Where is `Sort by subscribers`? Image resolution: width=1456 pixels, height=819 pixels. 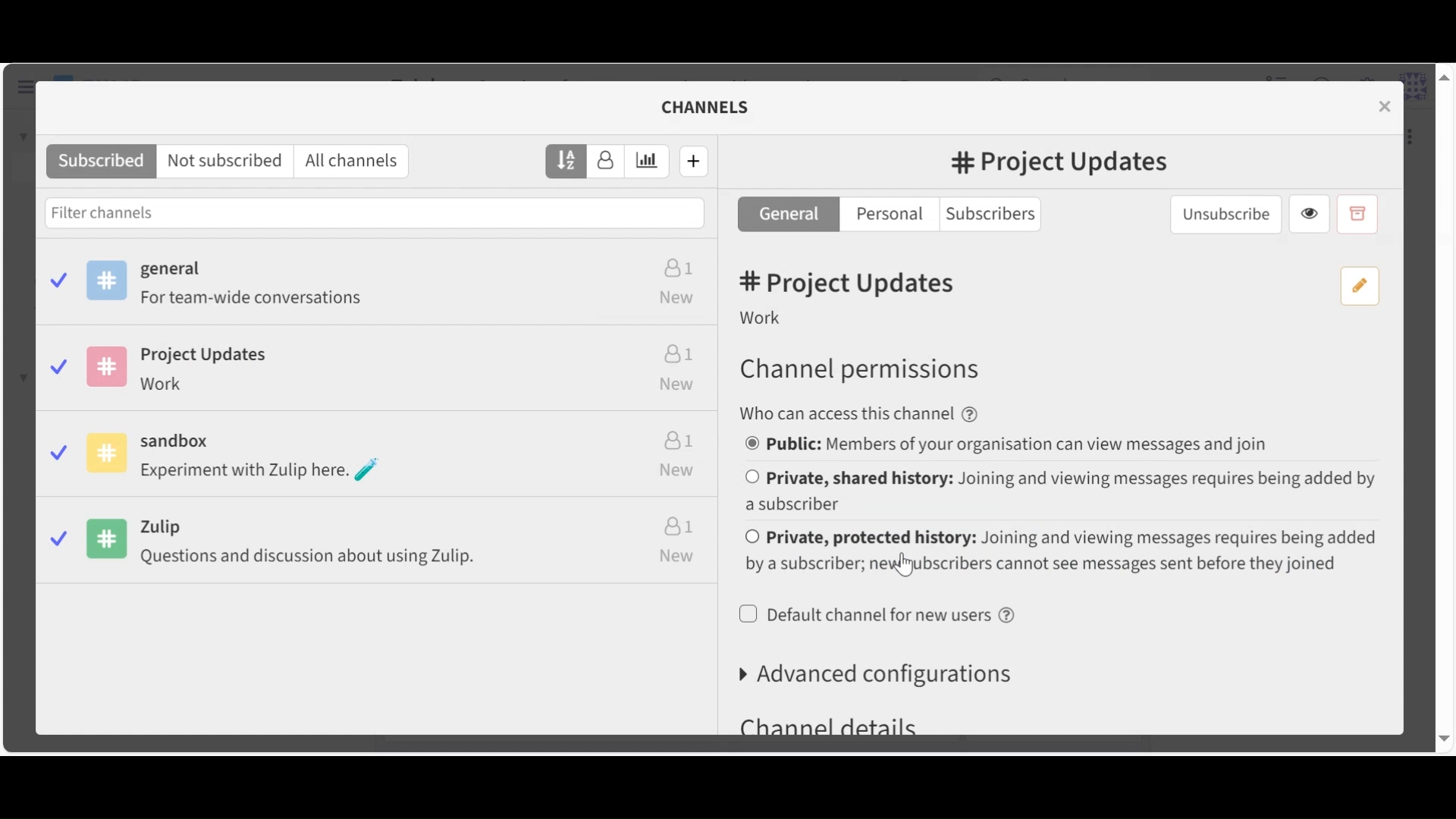 Sort by subscribers is located at coordinates (615, 160).